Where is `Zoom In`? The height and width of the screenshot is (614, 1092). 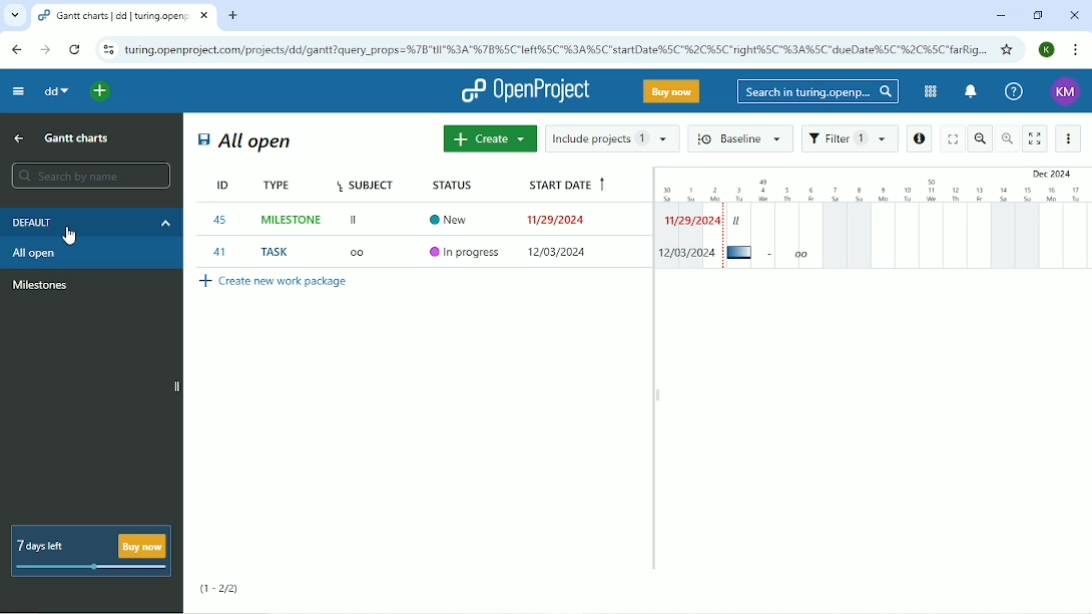 Zoom In is located at coordinates (1008, 138).